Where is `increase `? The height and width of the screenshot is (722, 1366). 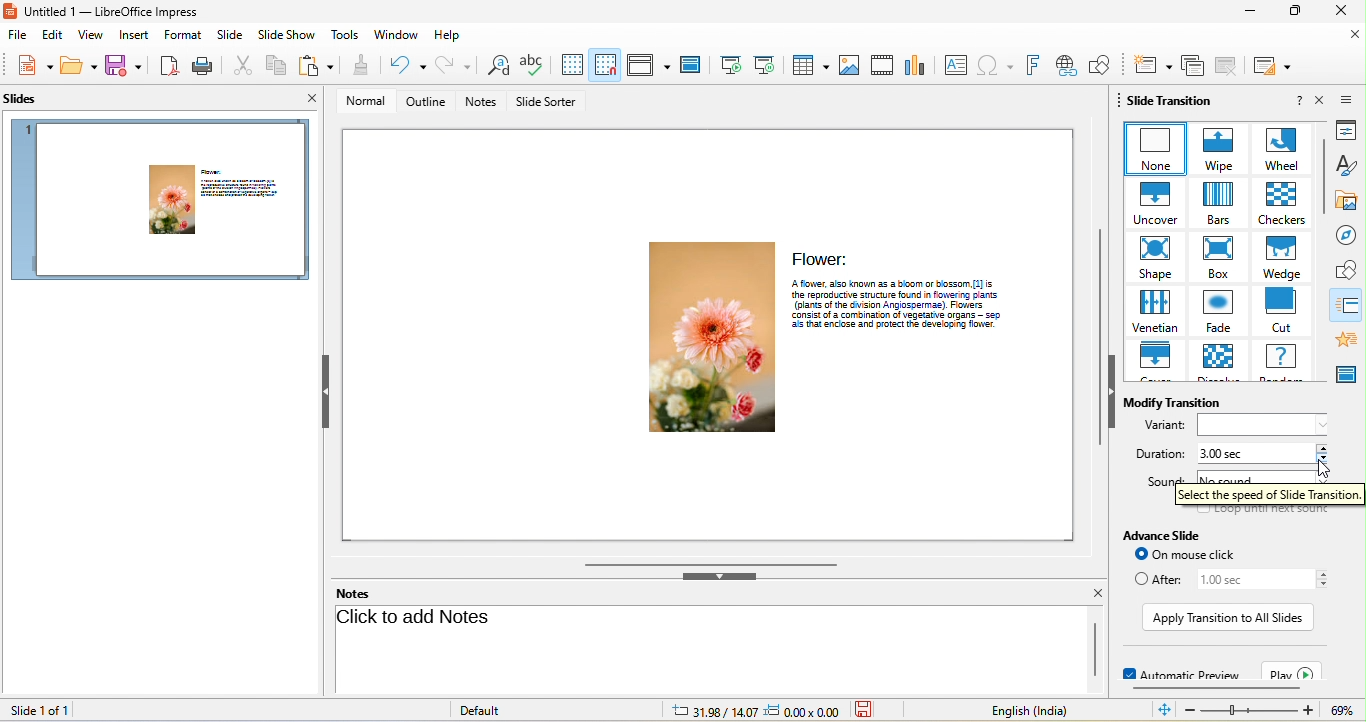
increase  is located at coordinates (1323, 573).